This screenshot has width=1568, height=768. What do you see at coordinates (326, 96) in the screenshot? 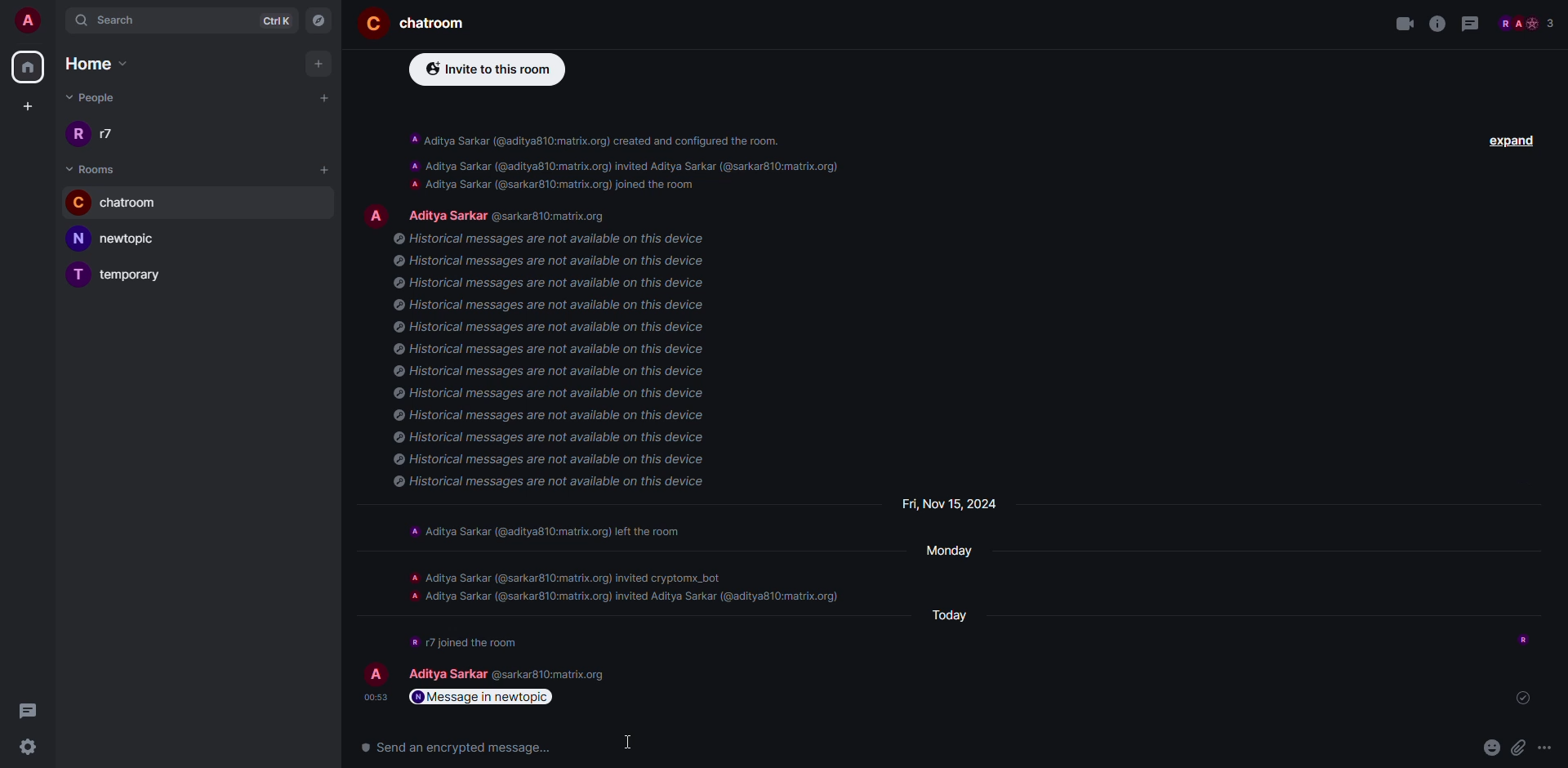
I see `add` at bounding box center [326, 96].